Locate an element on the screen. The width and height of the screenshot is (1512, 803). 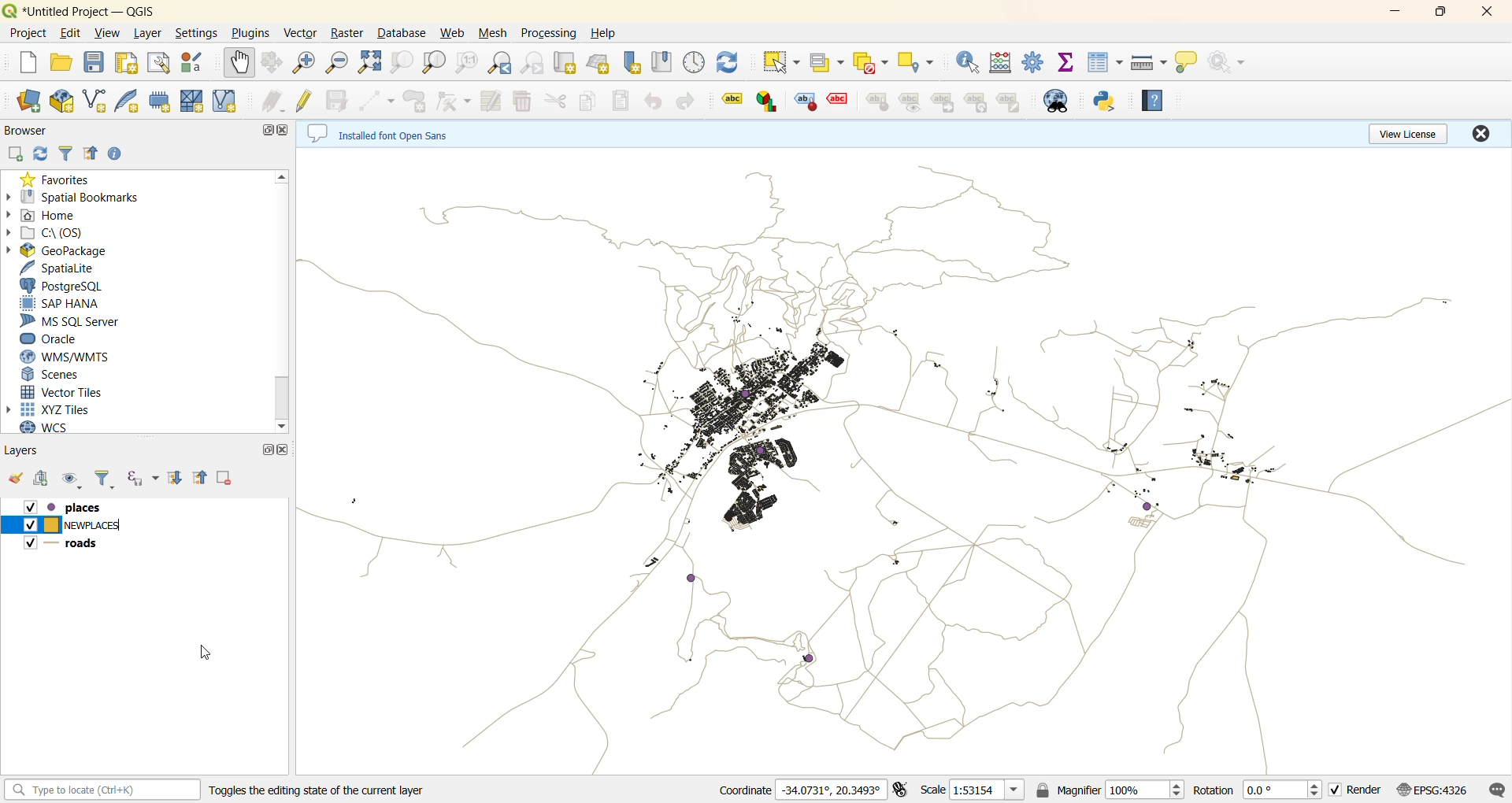
statistical summary is located at coordinates (1067, 65).